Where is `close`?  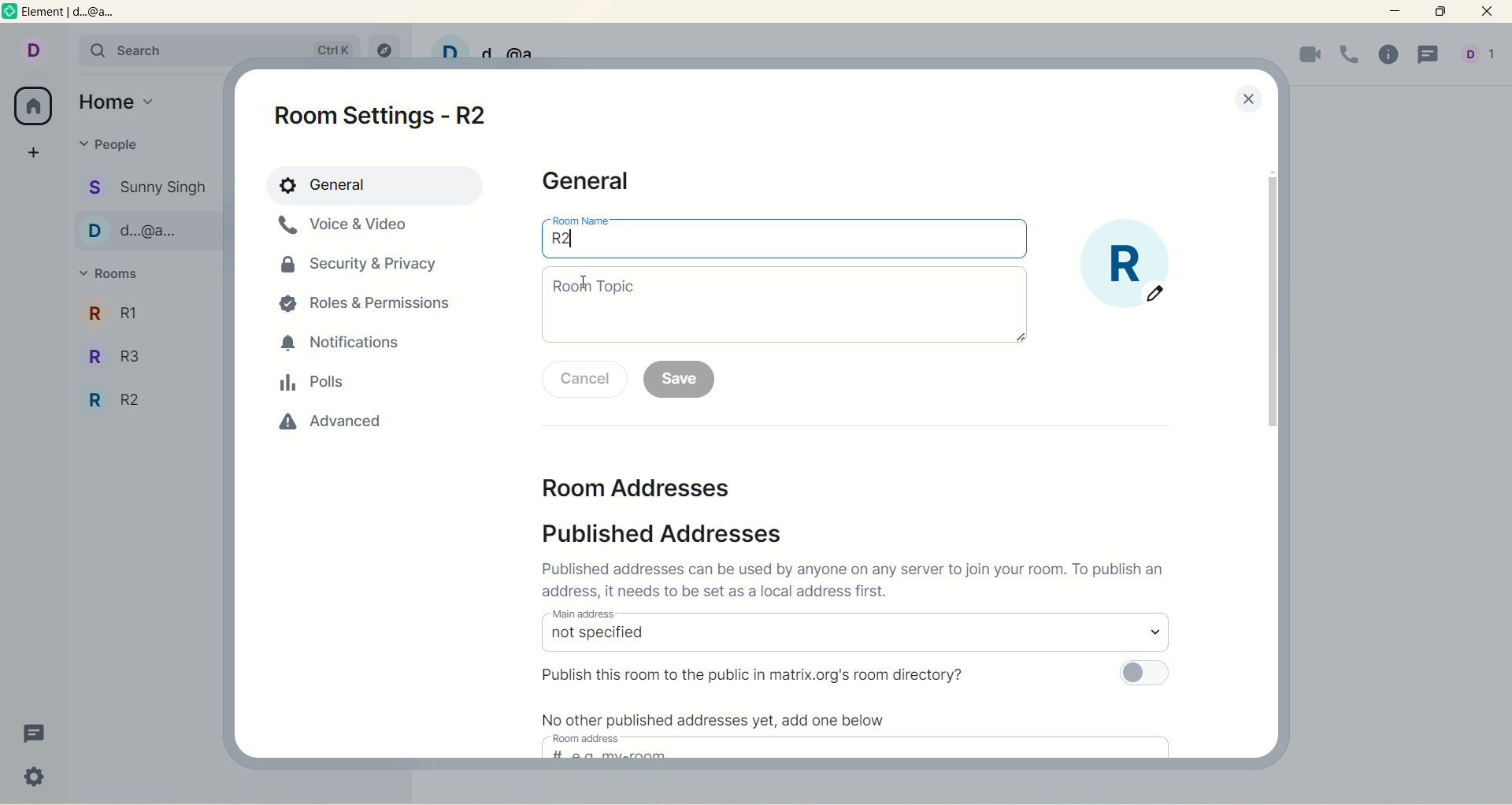
close is located at coordinates (1248, 101).